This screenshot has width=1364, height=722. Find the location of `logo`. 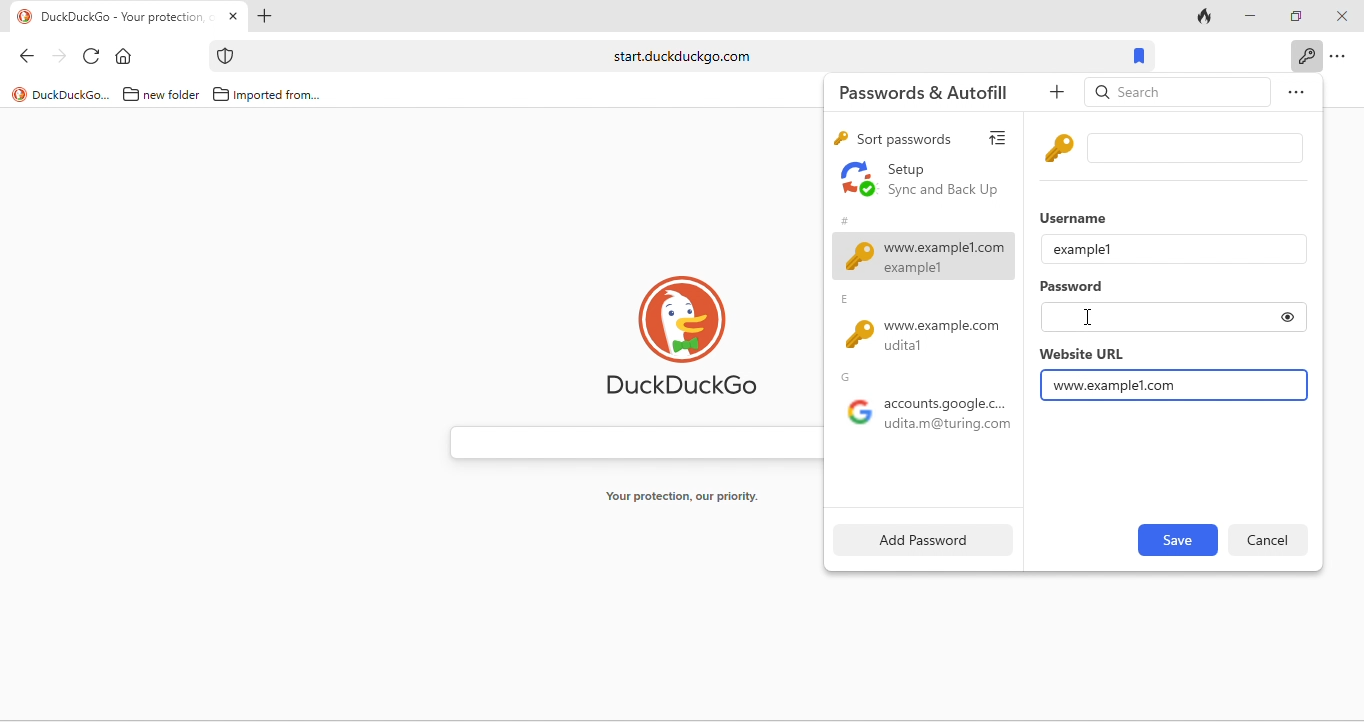

logo is located at coordinates (19, 94).